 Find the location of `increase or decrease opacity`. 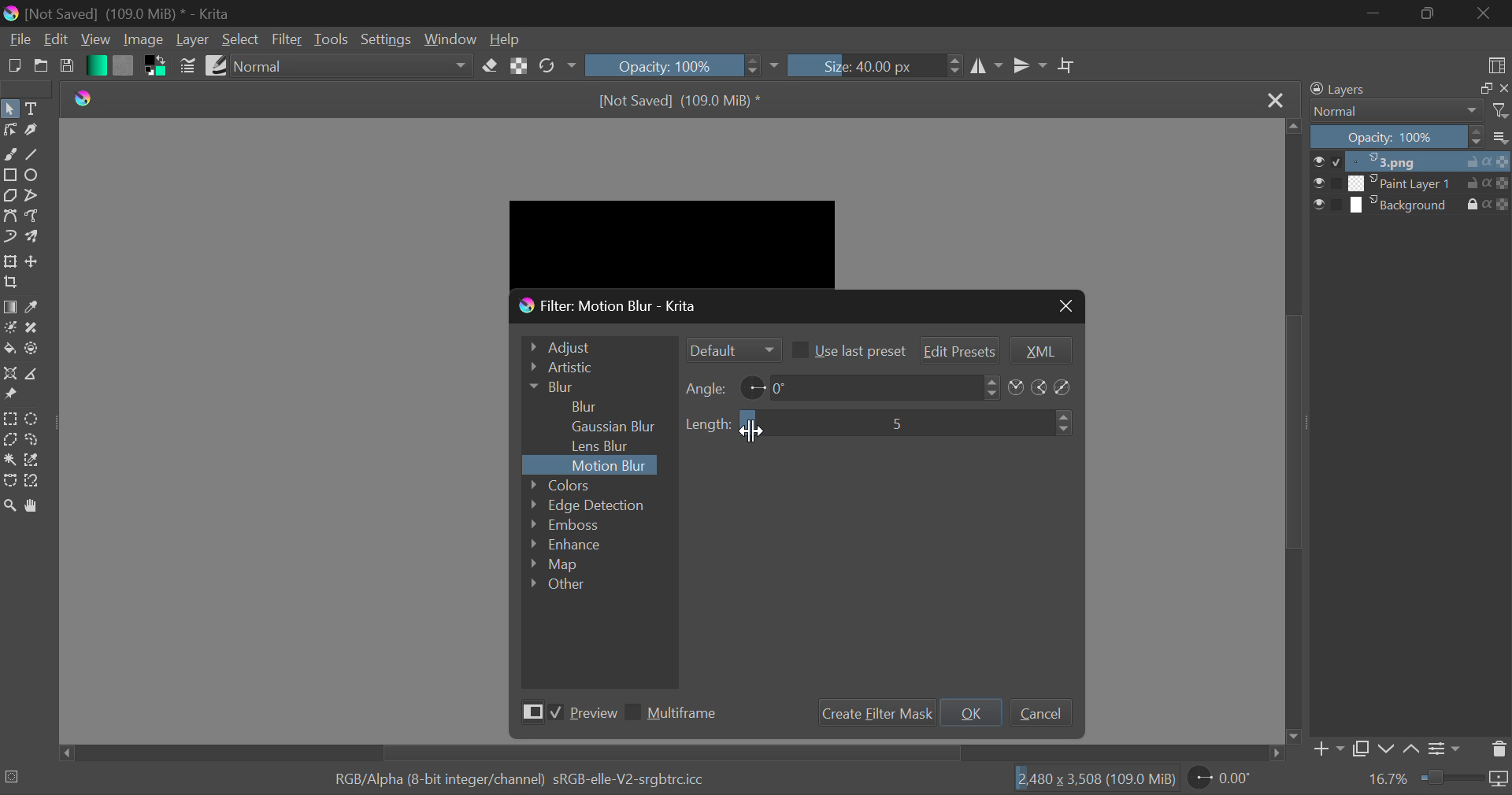

increase or decrease opacity is located at coordinates (754, 66).